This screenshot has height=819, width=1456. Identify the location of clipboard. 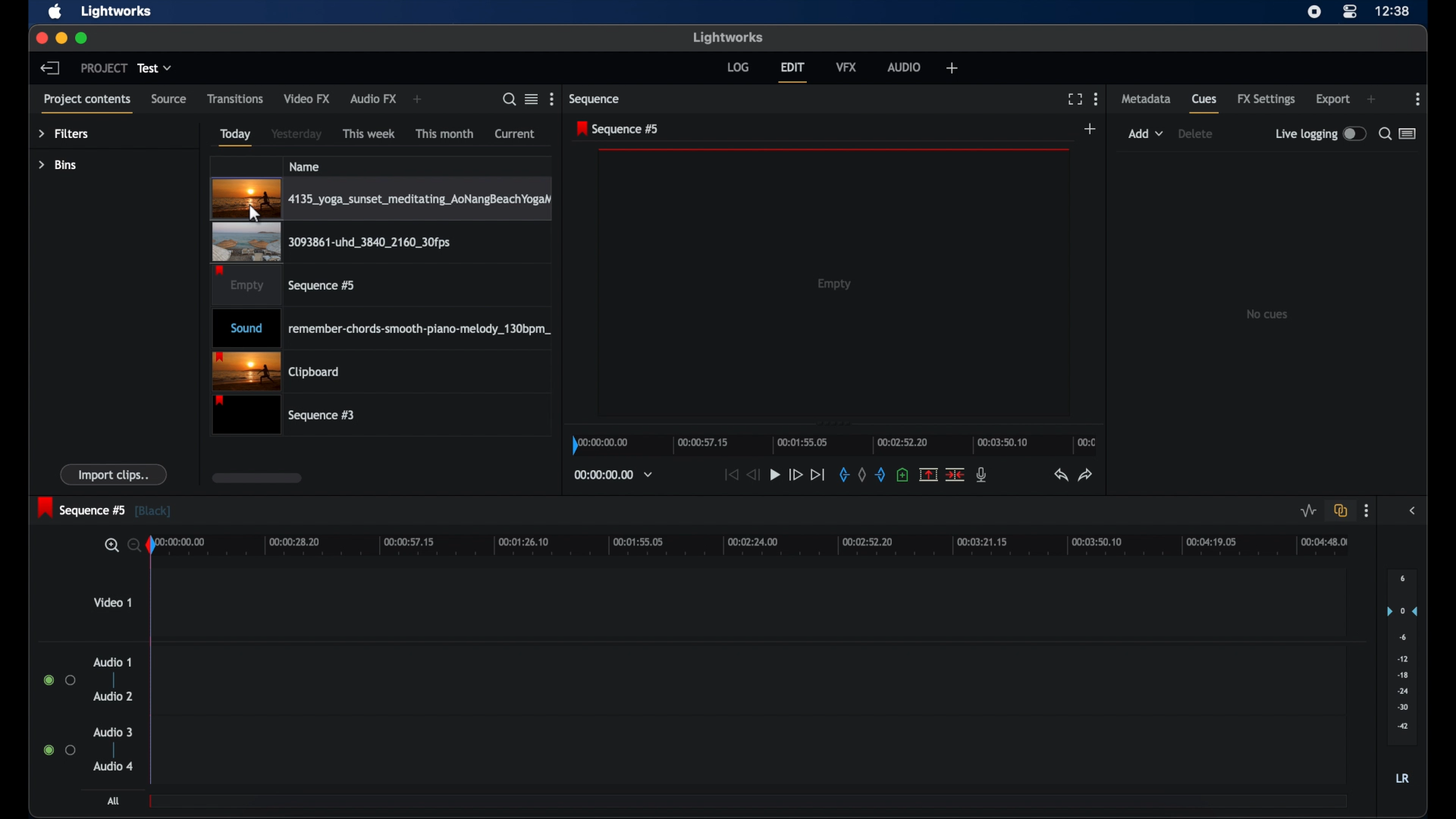
(281, 371).